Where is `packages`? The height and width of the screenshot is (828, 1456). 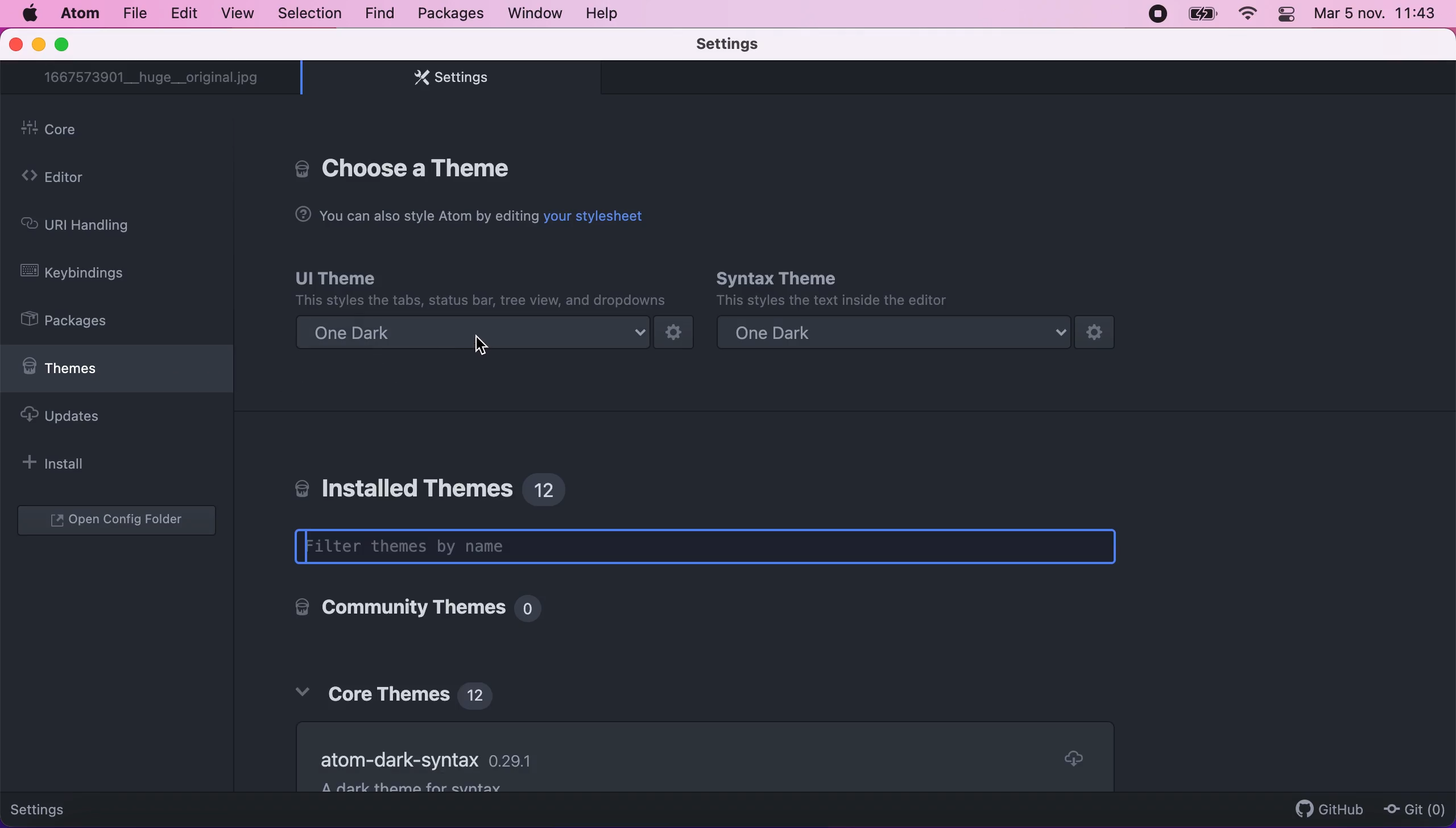 packages is located at coordinates (448, 14).